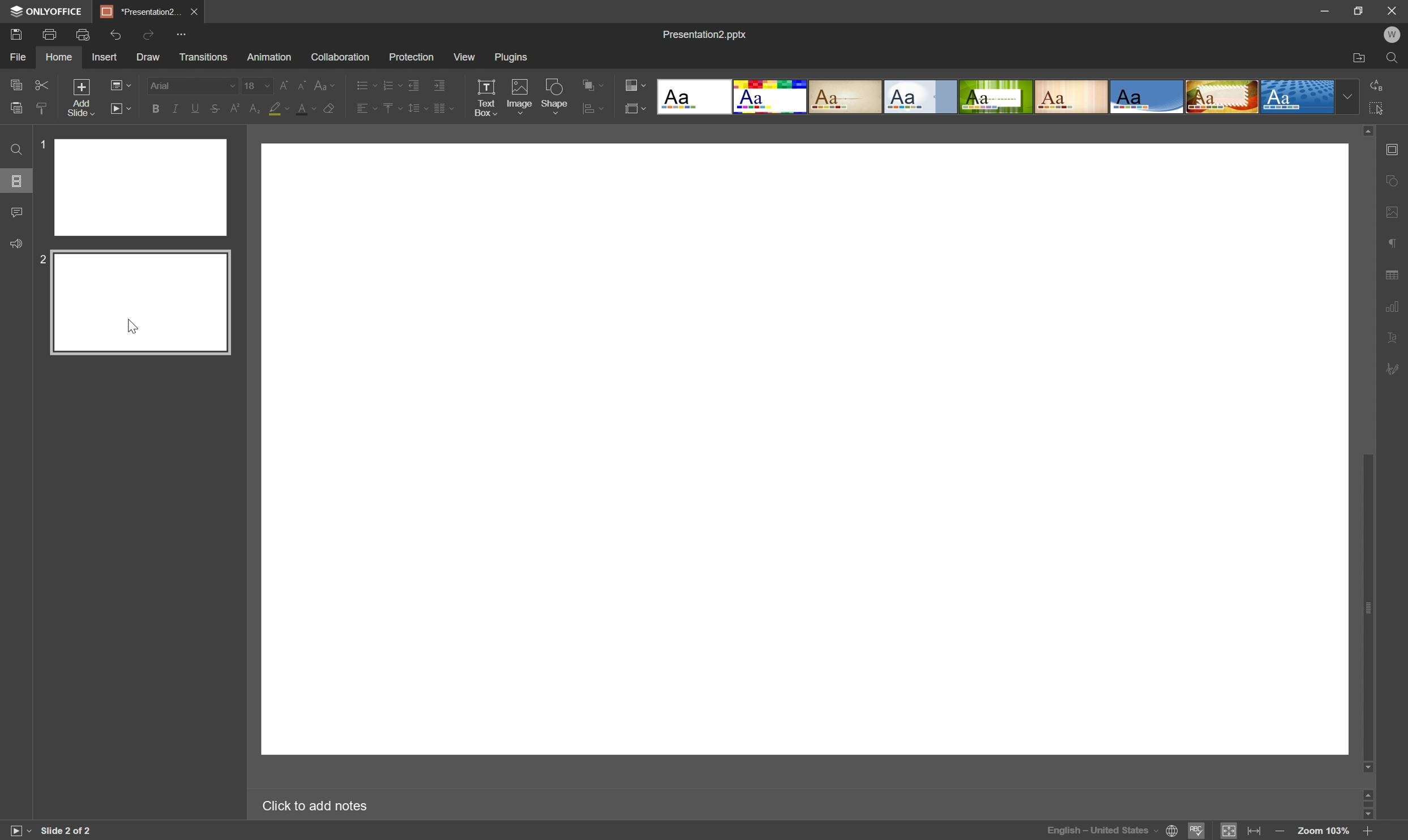 The width and height of the screenshot is (1408, 840). What do you see at coordinates (322, 804) in the screenshot?
I see `Click to add notes` at bounding box center [322, 804].